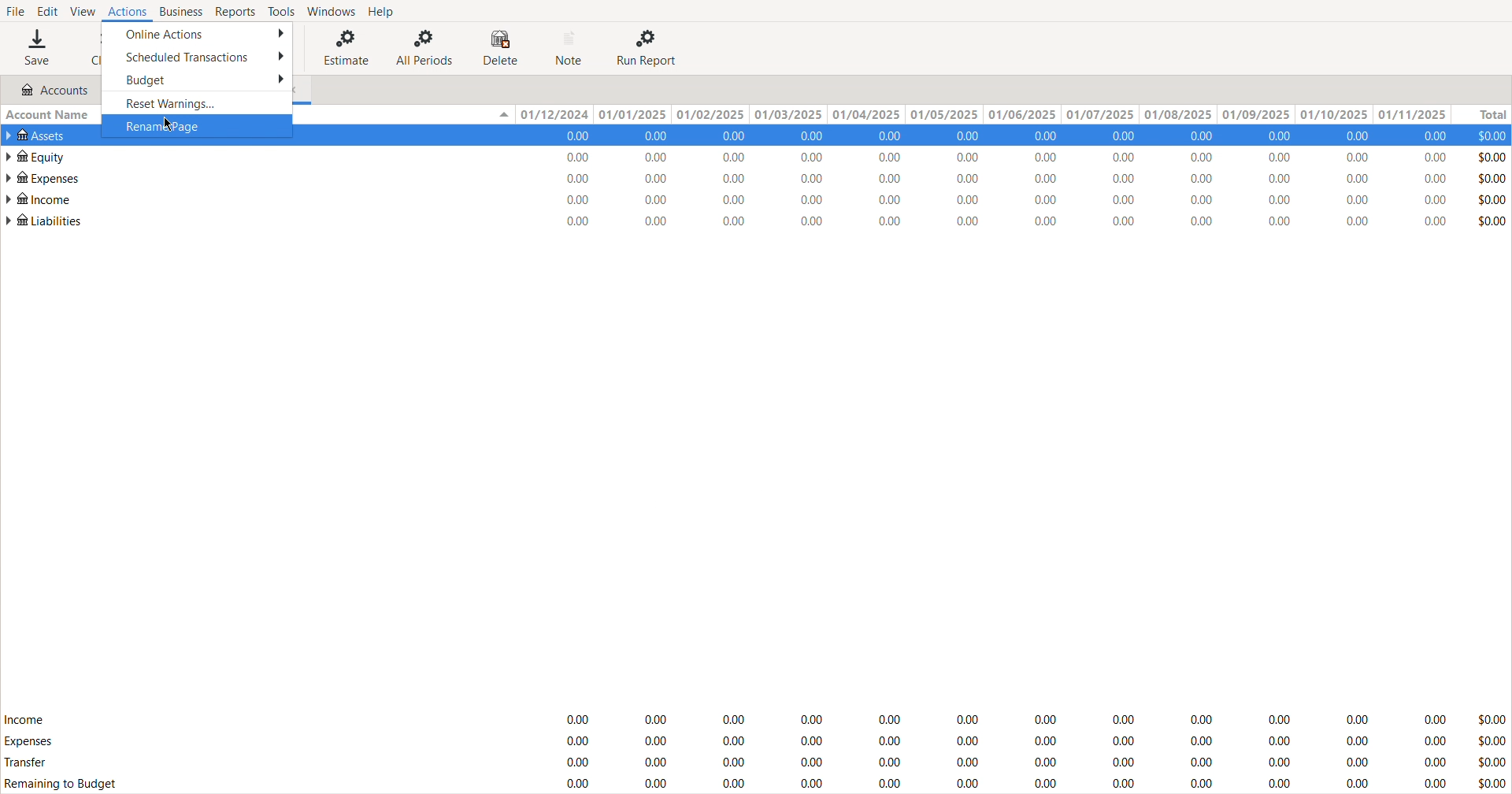 This screenshot has height=794, width=1512. Describe the element at coordinates (45, 9) in the screenshot. I see `Edit` at that location.